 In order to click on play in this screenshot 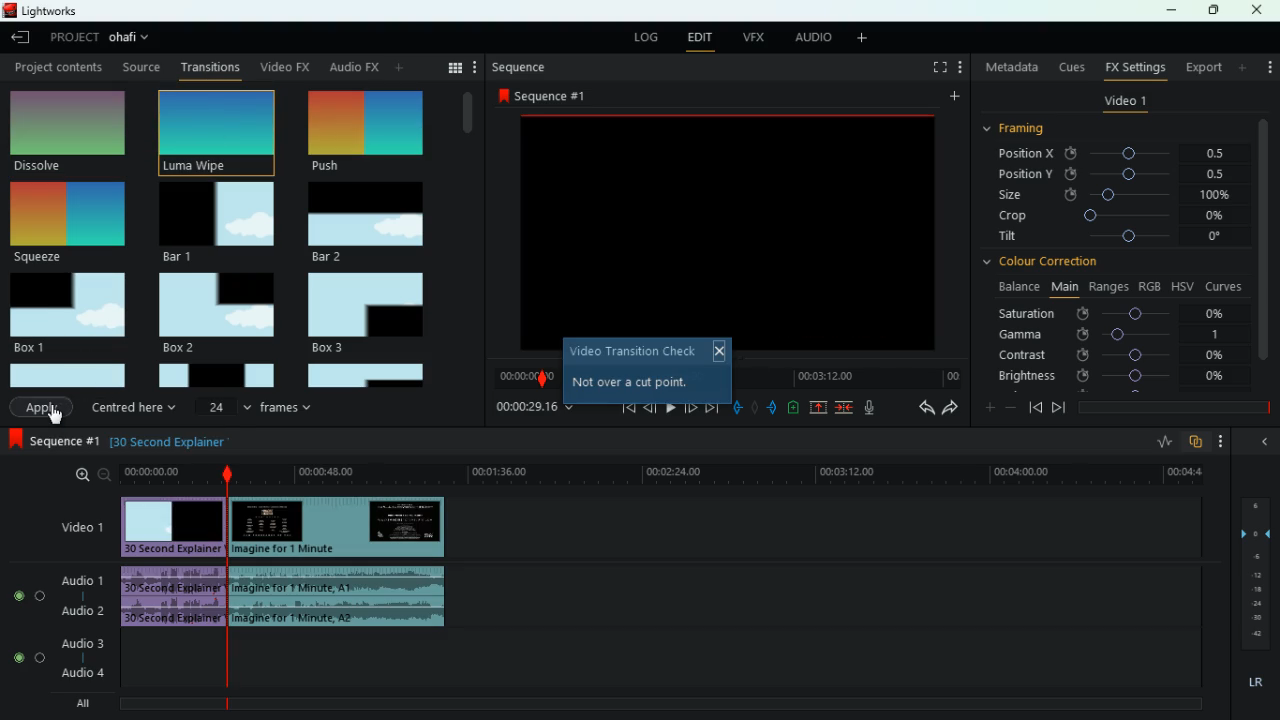, I will do `click(667, 407)`.